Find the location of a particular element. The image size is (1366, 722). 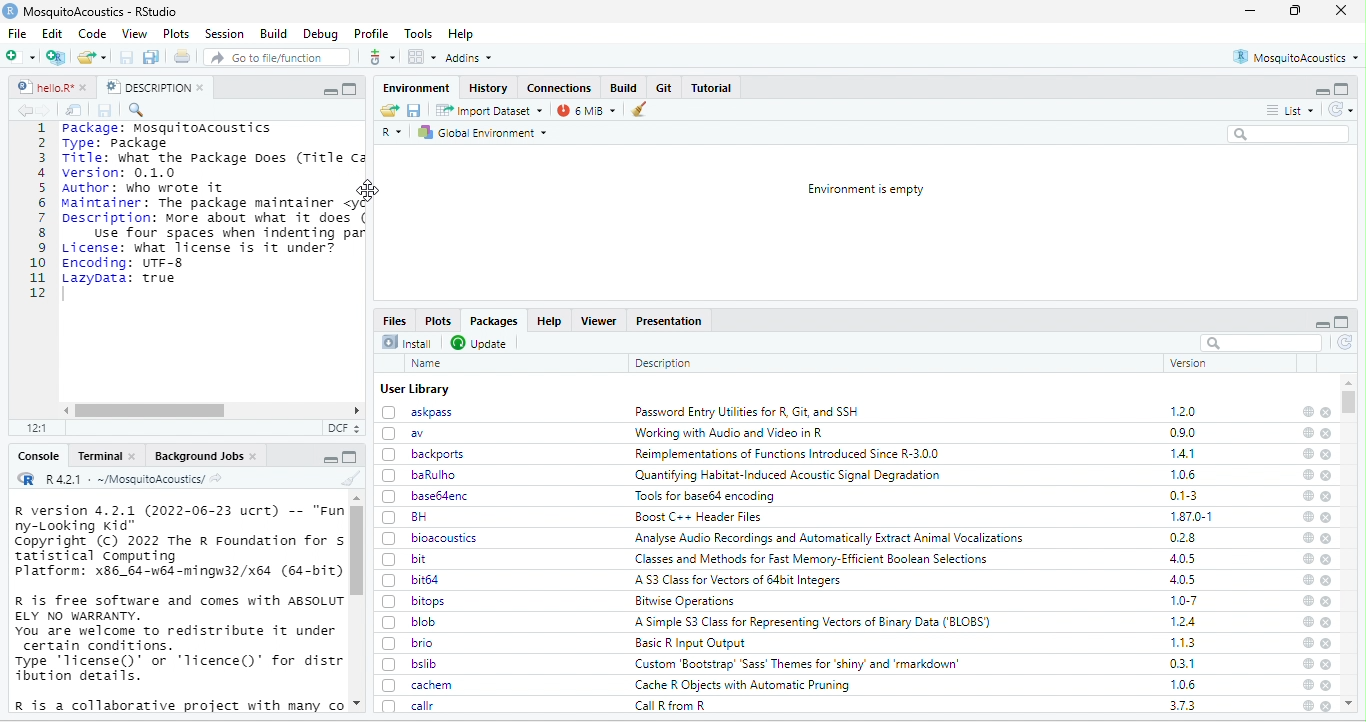

search bar is located at coordinates (1262, 342).